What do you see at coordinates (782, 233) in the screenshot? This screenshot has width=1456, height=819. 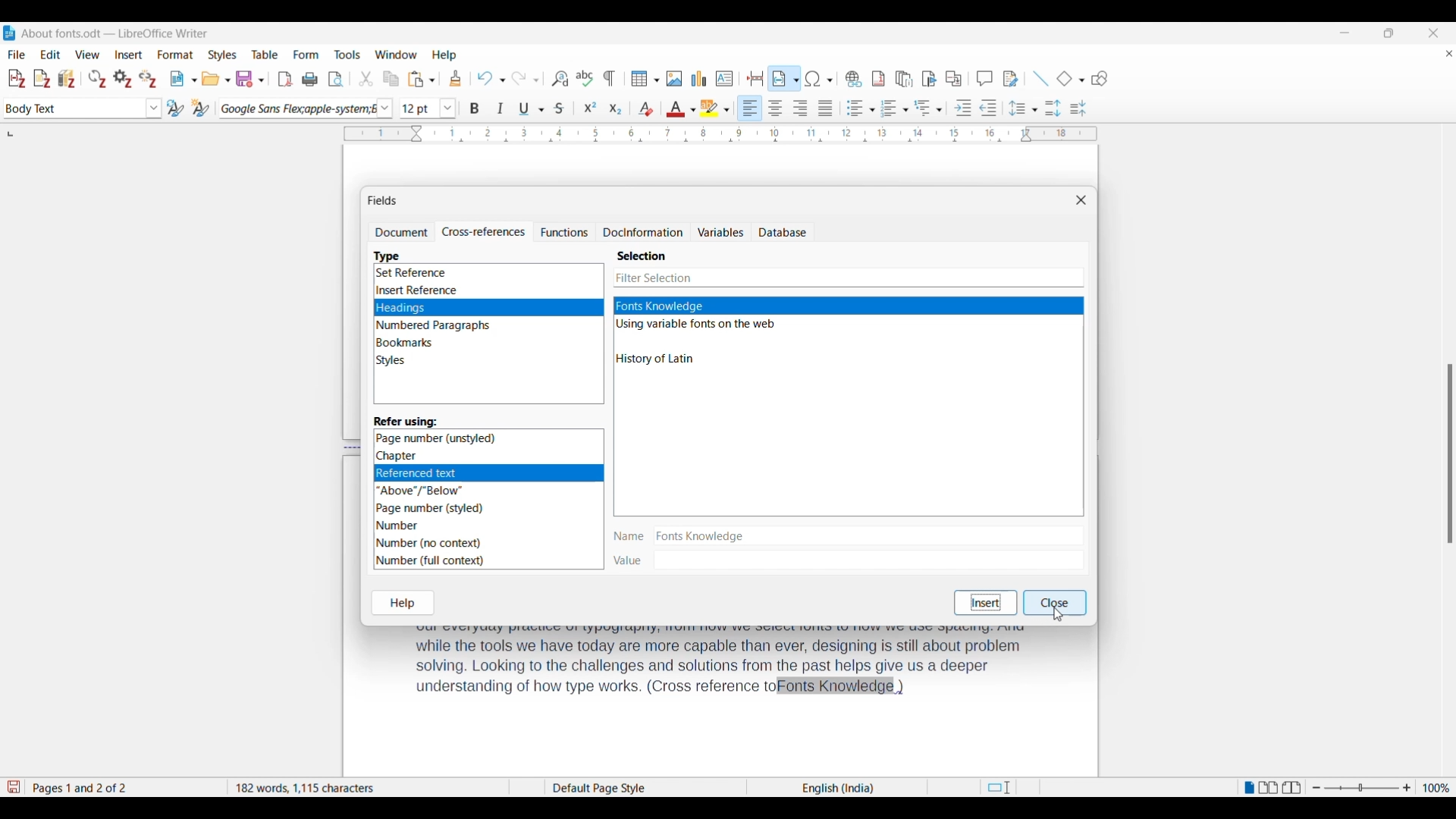 I see `Database` at bounding box center [782, 233].